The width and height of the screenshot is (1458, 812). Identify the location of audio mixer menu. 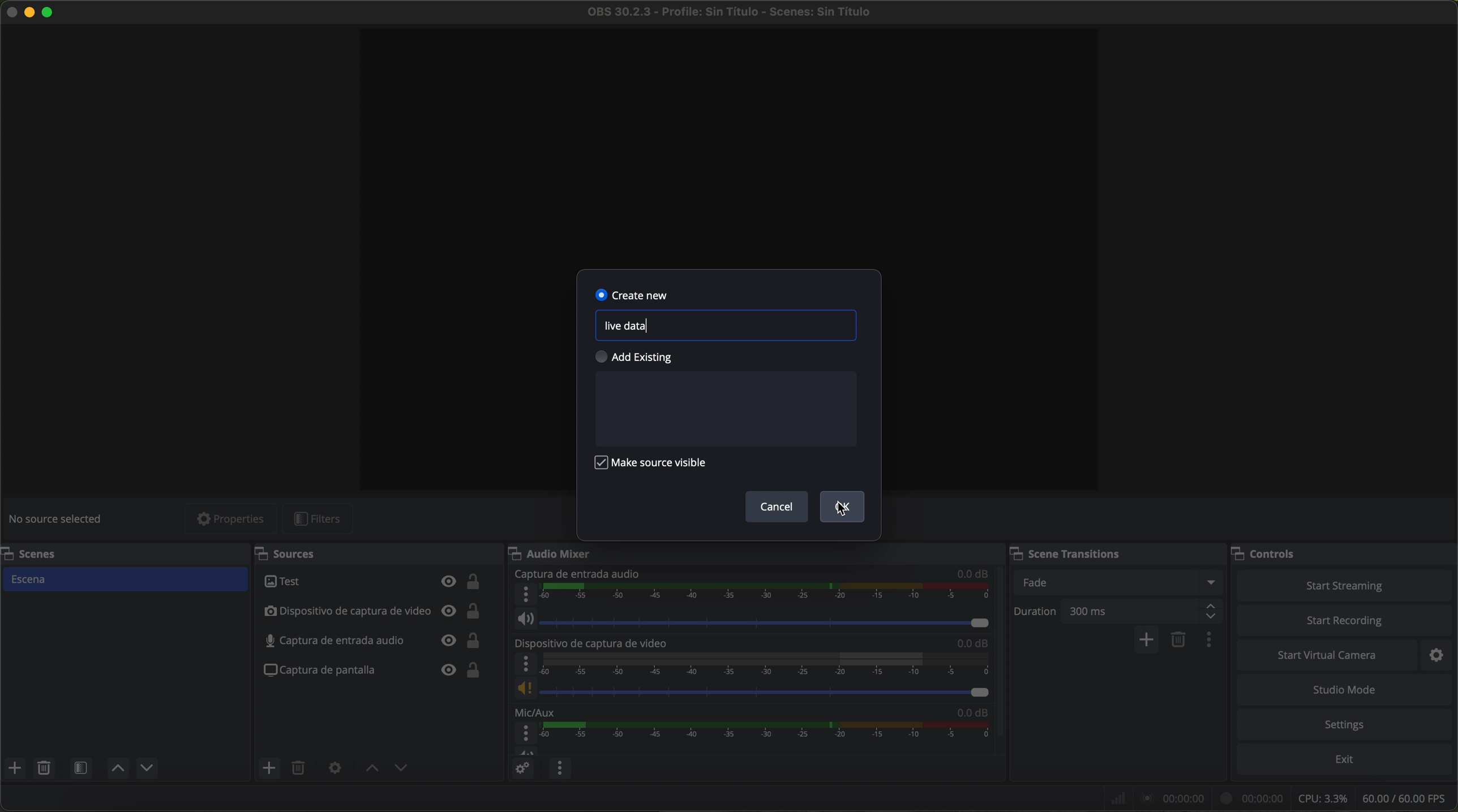
(560, 767).